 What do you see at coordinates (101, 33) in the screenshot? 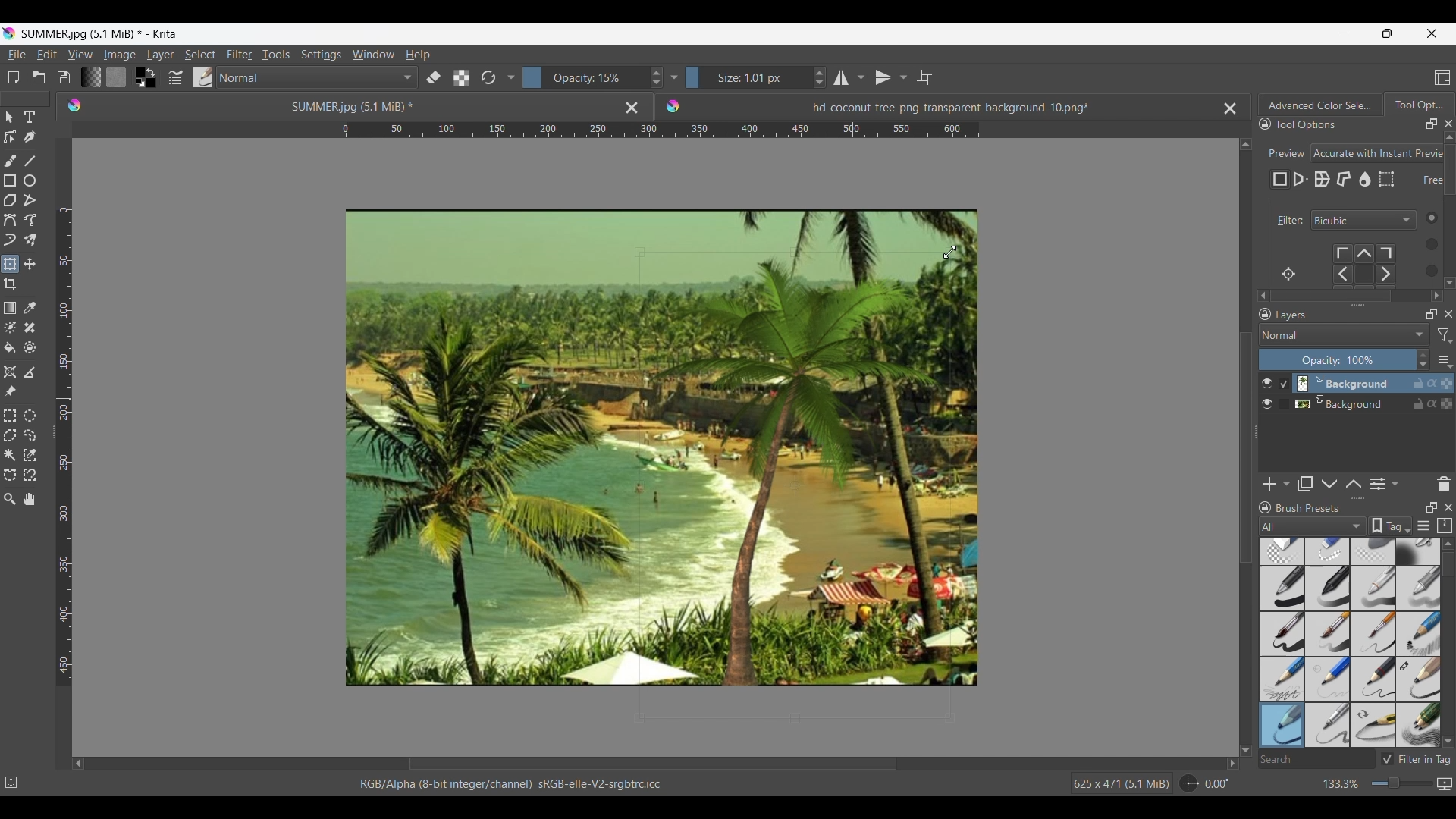
I see `SUMMERjpg(5.1 MiB)* - Lrita` at bounding box center [101, 33].